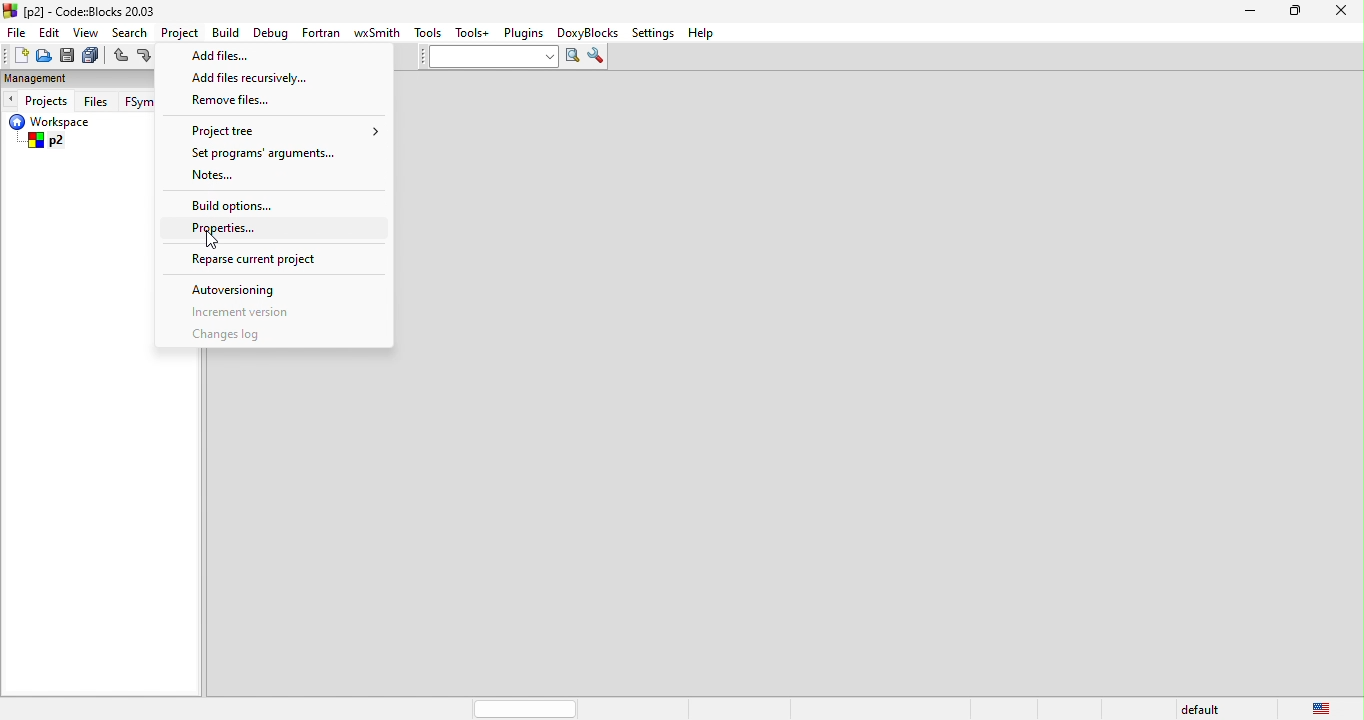  What do you see at coordinates (428, 33) in the screenshot?
I see `tools` at bounding box center [428, 33].